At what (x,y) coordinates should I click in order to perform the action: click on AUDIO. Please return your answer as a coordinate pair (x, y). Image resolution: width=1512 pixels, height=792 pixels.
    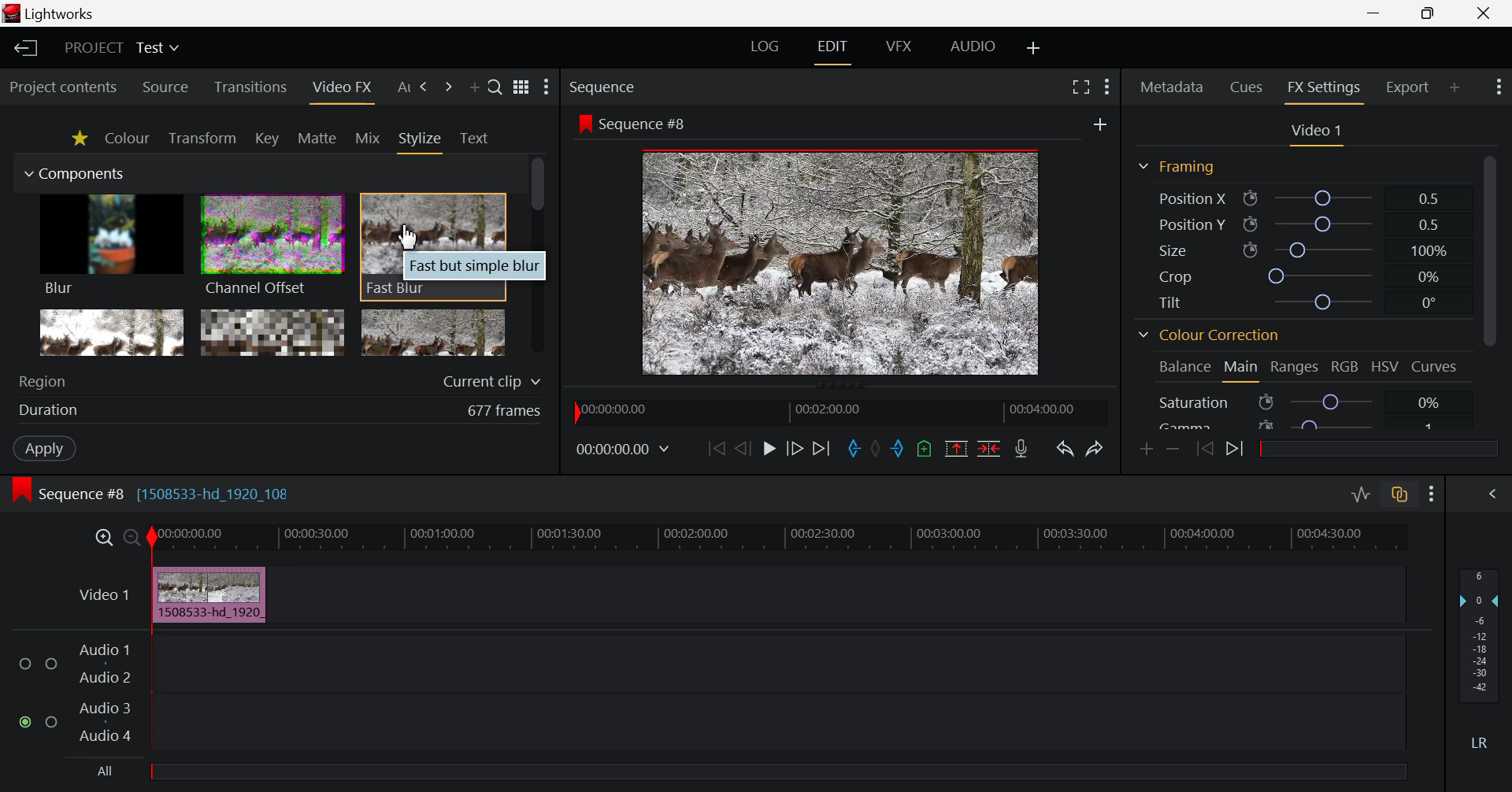
    Looking at the image, I should click on (973, 50).